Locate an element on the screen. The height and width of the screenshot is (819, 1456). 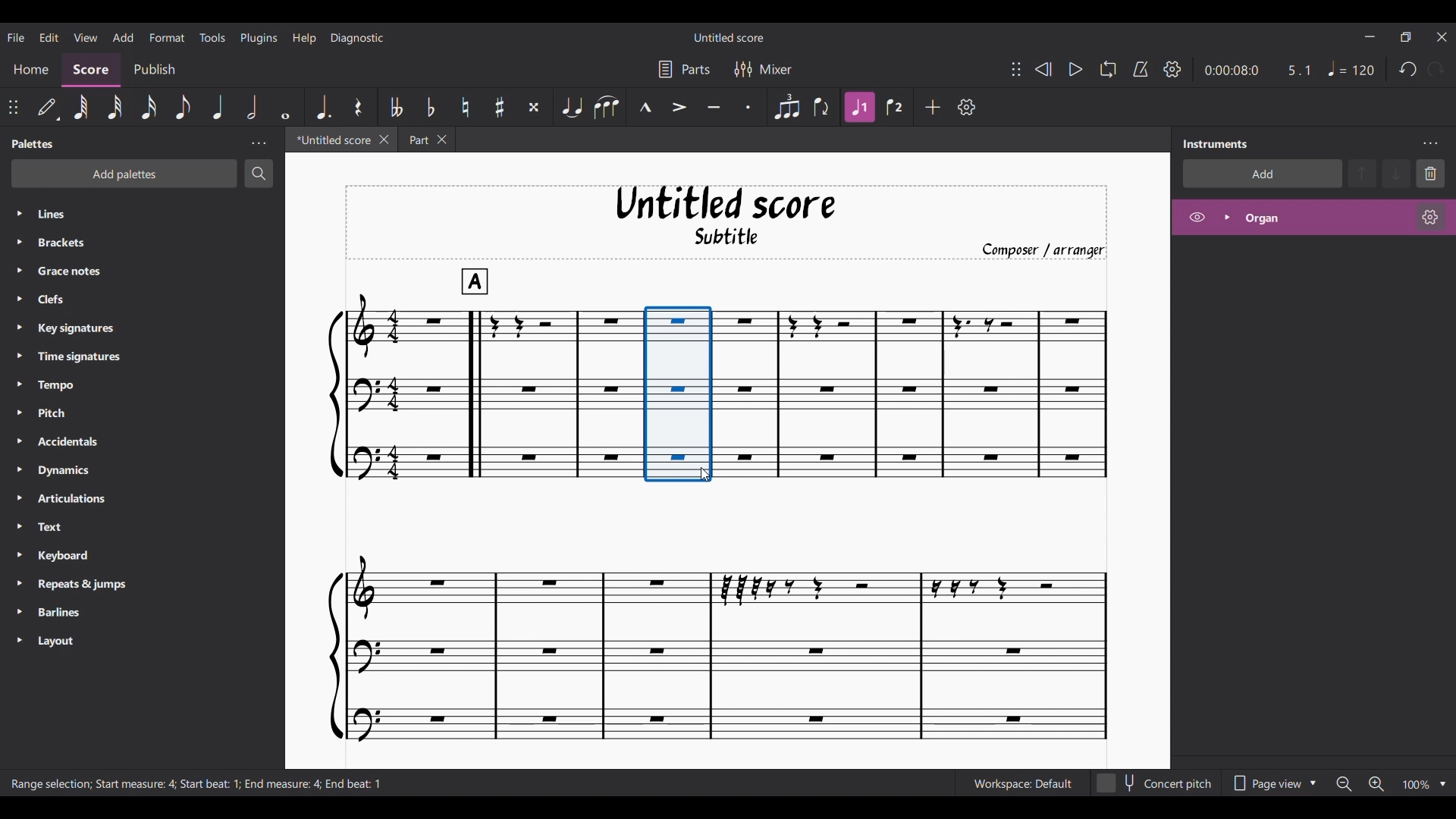
Mixer settings is located at coordinates (763, 70).